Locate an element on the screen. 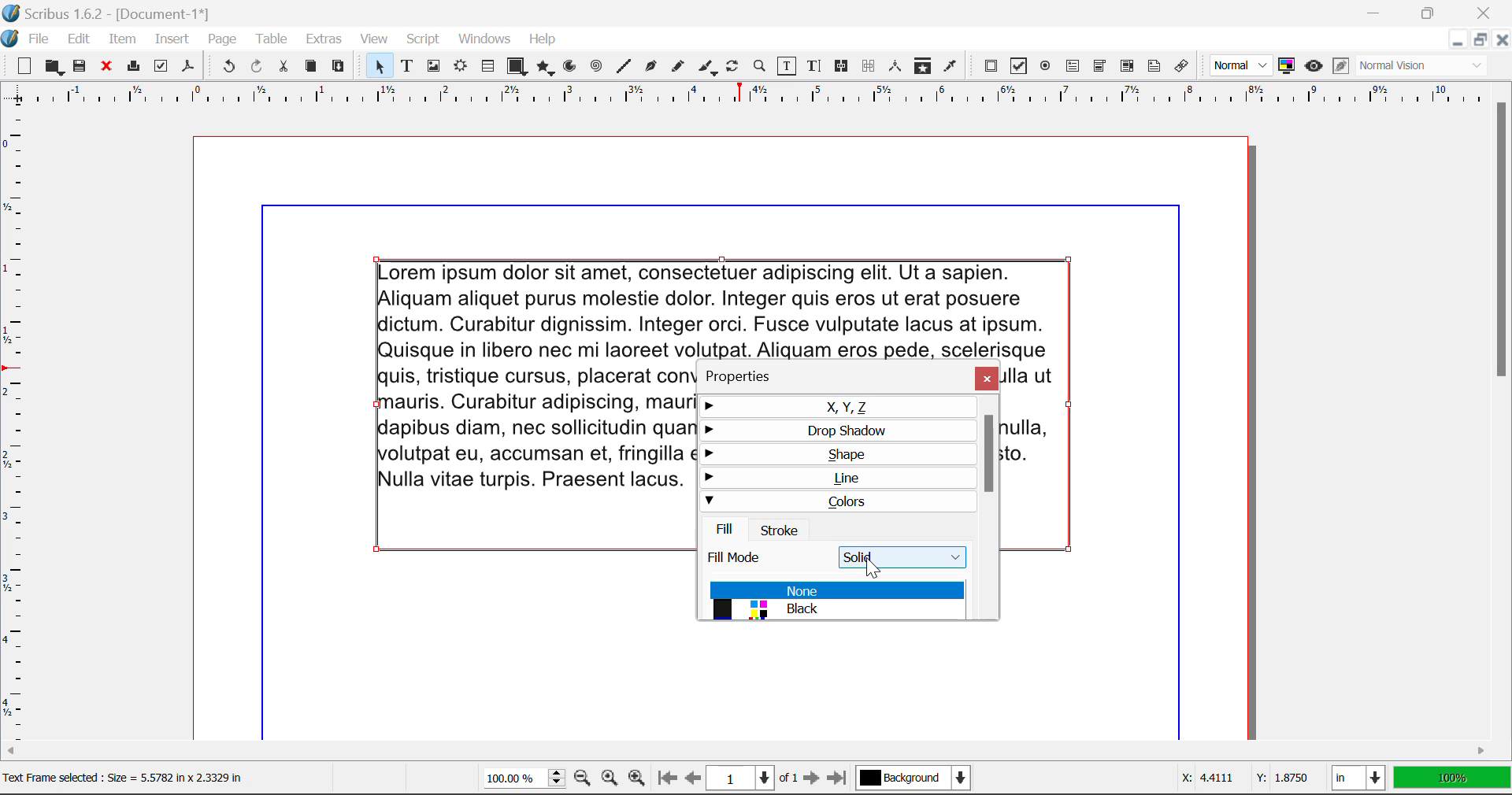 The image size is (1512, 795). Preflight Verifier is located at coordinates (161, 68).